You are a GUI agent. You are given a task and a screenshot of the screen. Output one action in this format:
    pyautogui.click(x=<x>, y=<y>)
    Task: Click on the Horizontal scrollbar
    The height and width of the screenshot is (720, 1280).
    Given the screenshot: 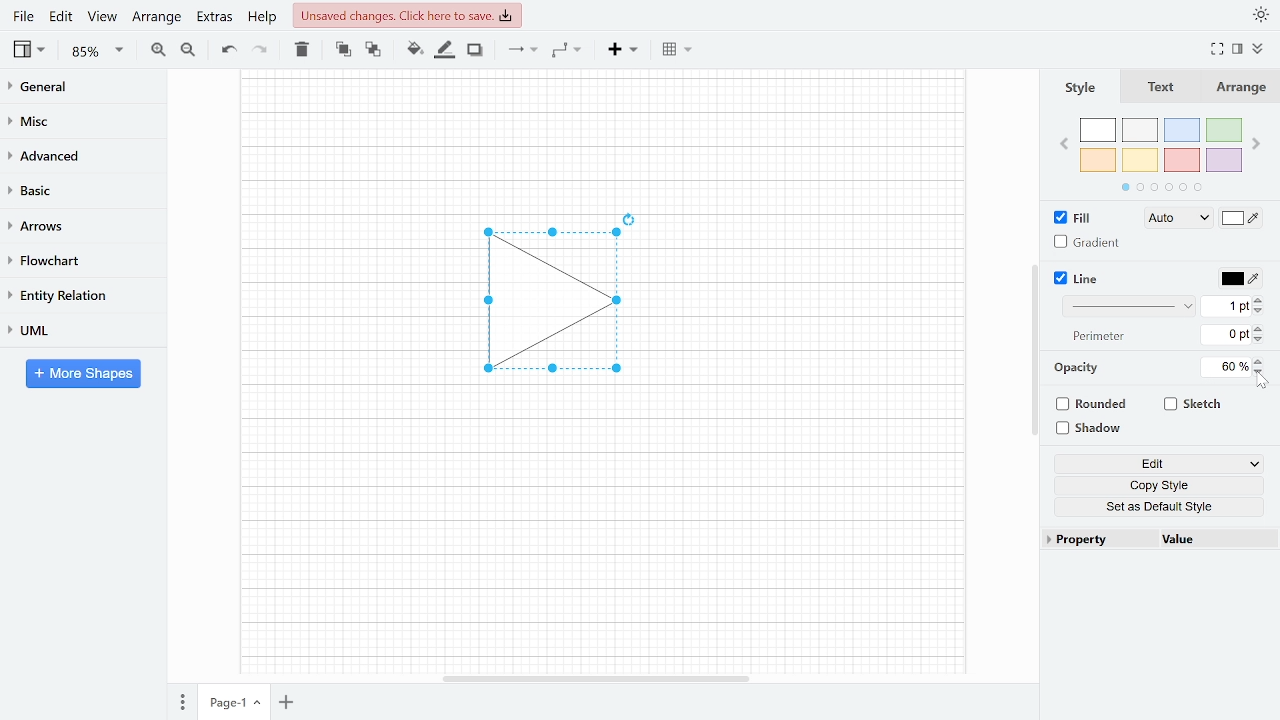 What is the action you would take?
    pyautogui.click(x=598, y=678)
    